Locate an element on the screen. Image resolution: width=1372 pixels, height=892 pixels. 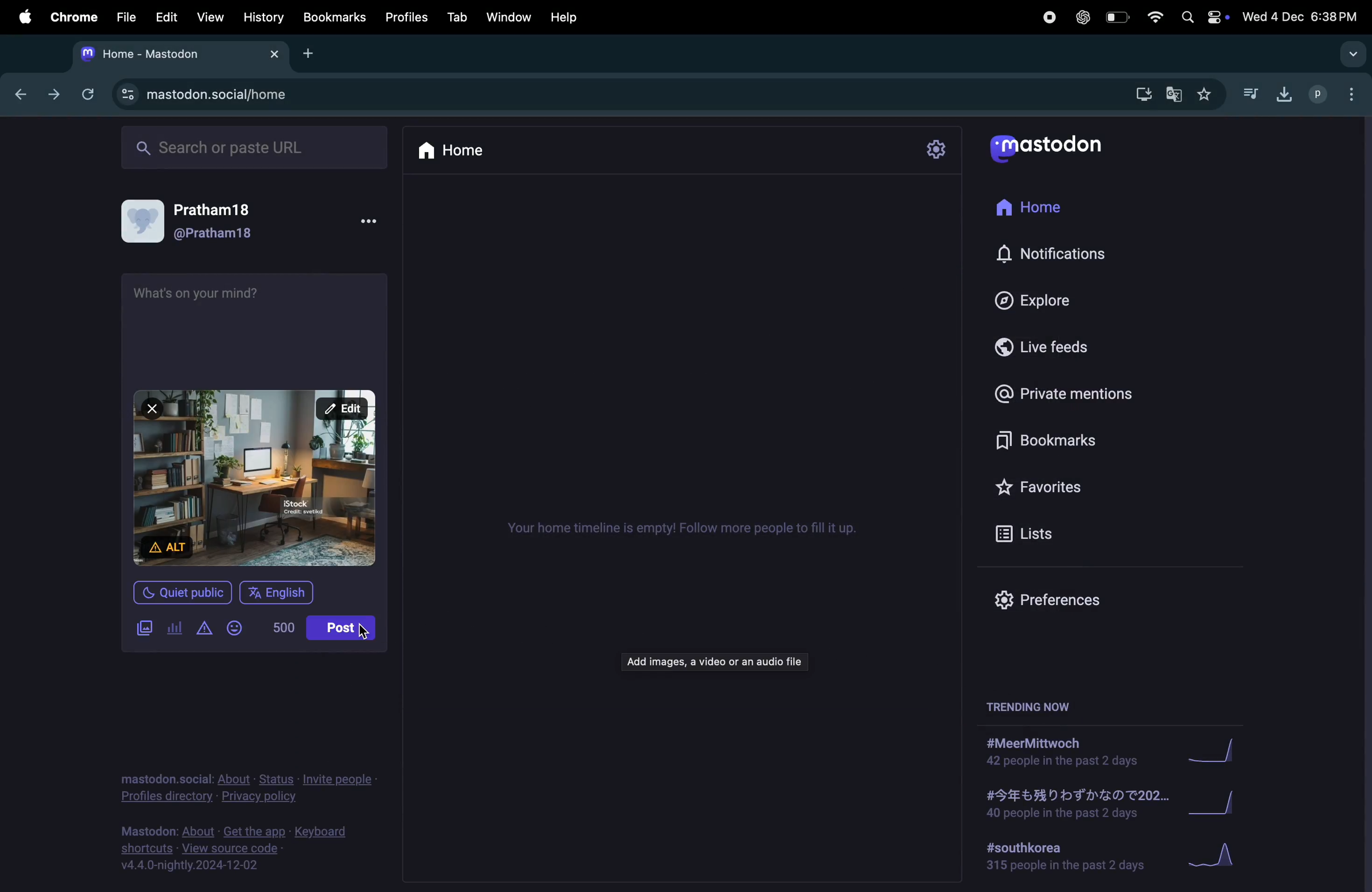
Emoji is located at coordinates (237, 627).